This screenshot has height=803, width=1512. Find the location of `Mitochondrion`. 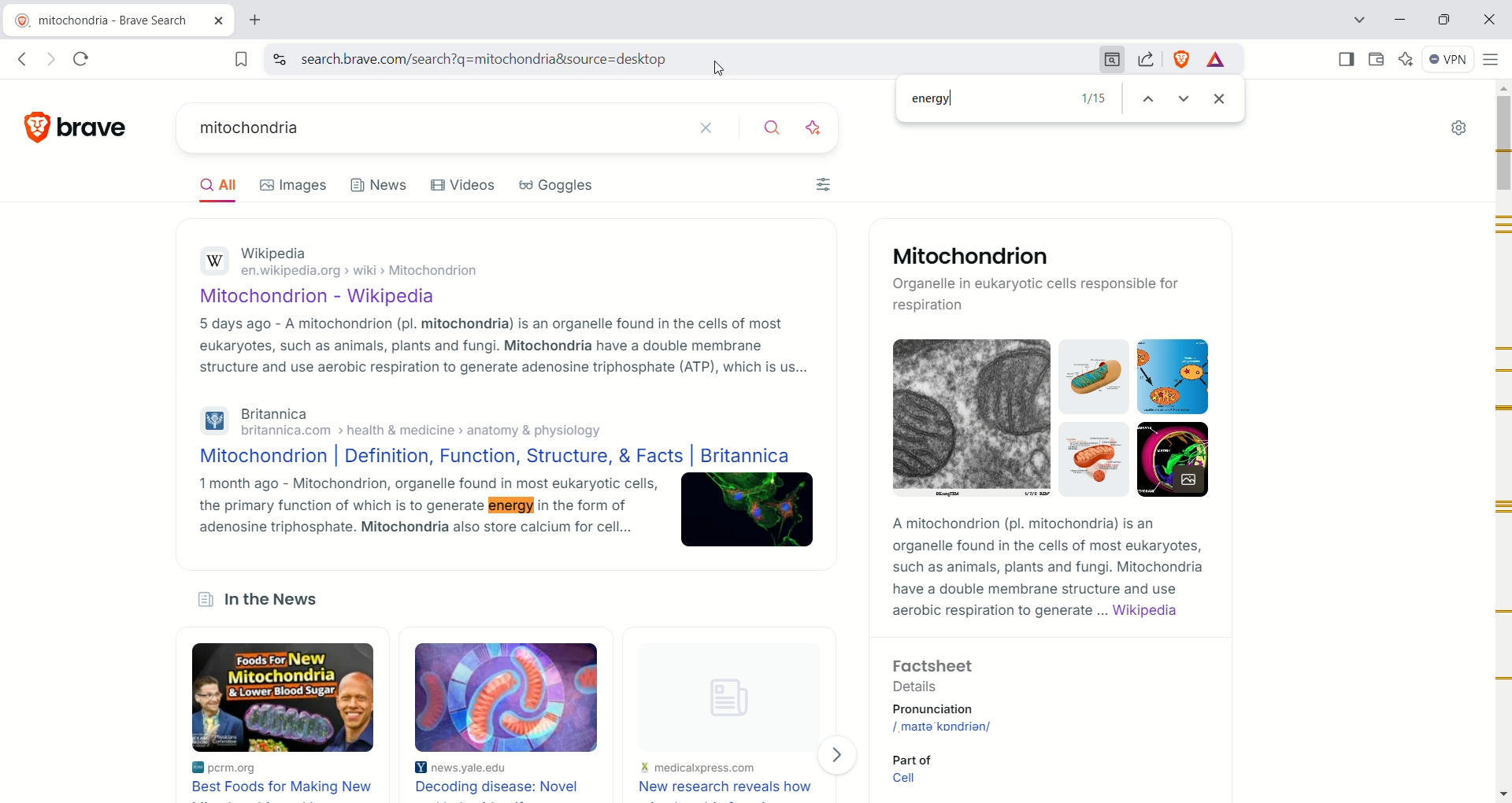

Mitochondrion is located at coordinates (1023, 256).